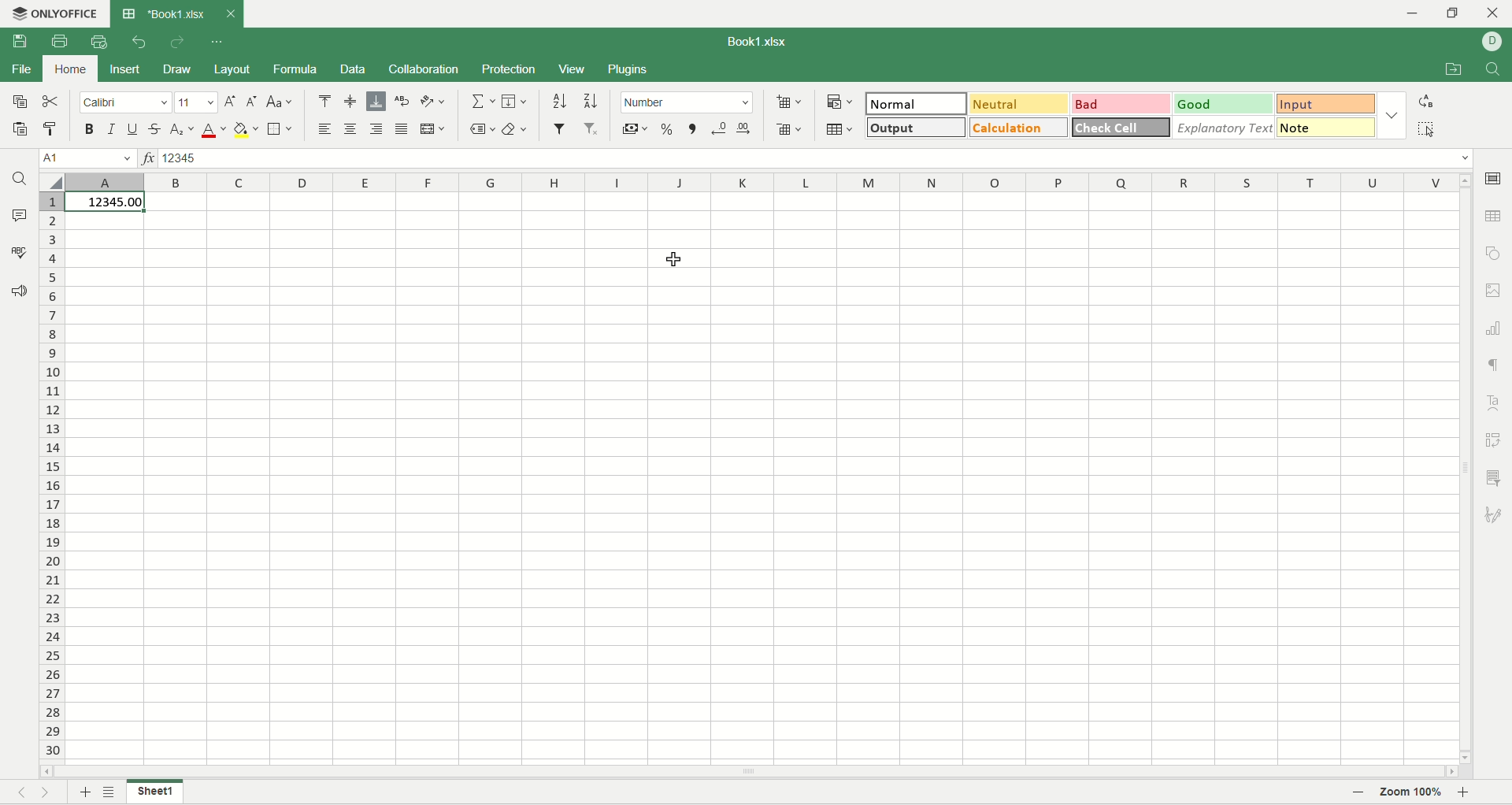  Describe the element at coordinates (15, 291) in the screenshot. I see `feedback and support` at that location.